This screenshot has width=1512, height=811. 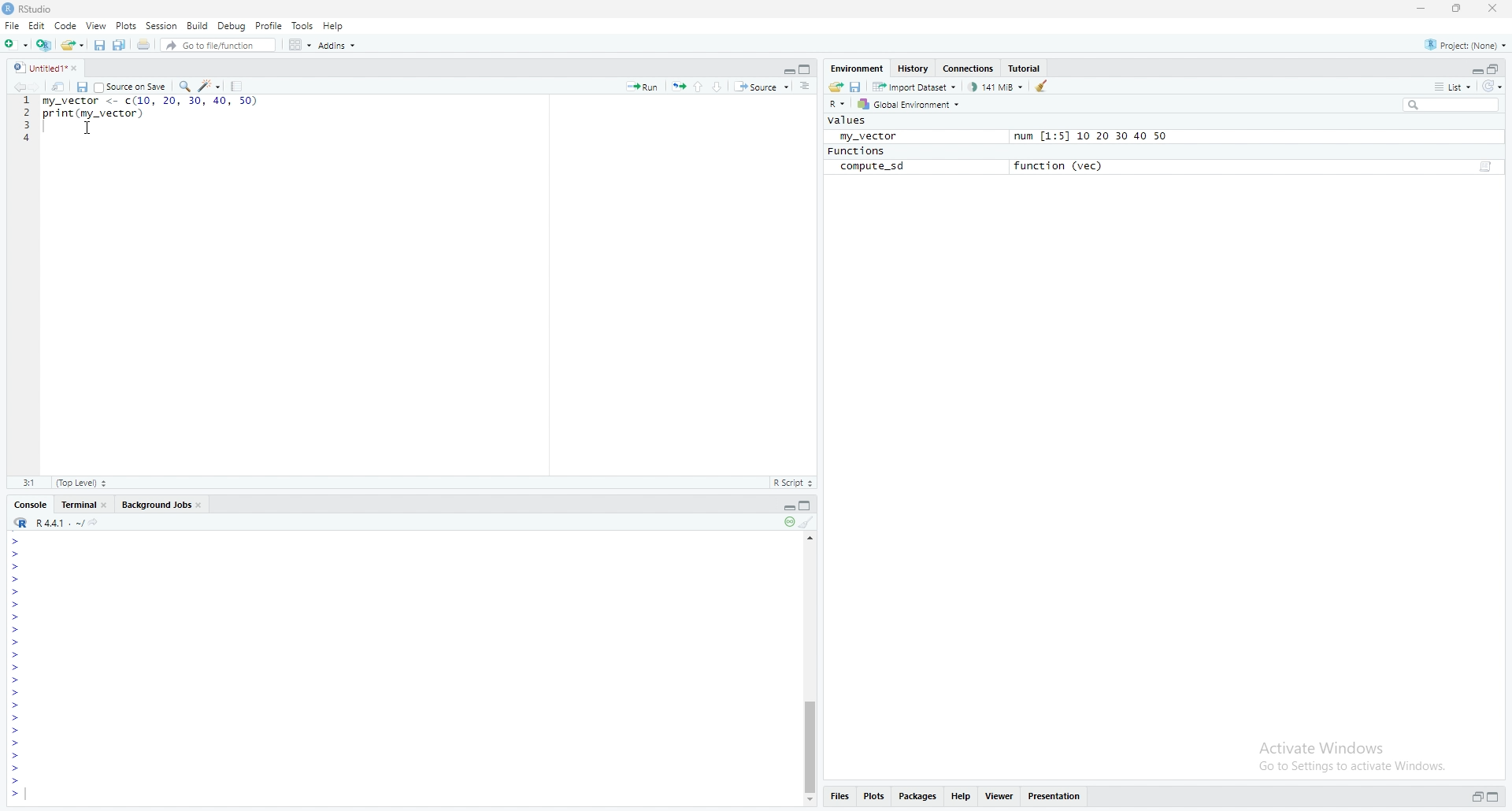 I want to click on Profile, so click(x=269, y=25).